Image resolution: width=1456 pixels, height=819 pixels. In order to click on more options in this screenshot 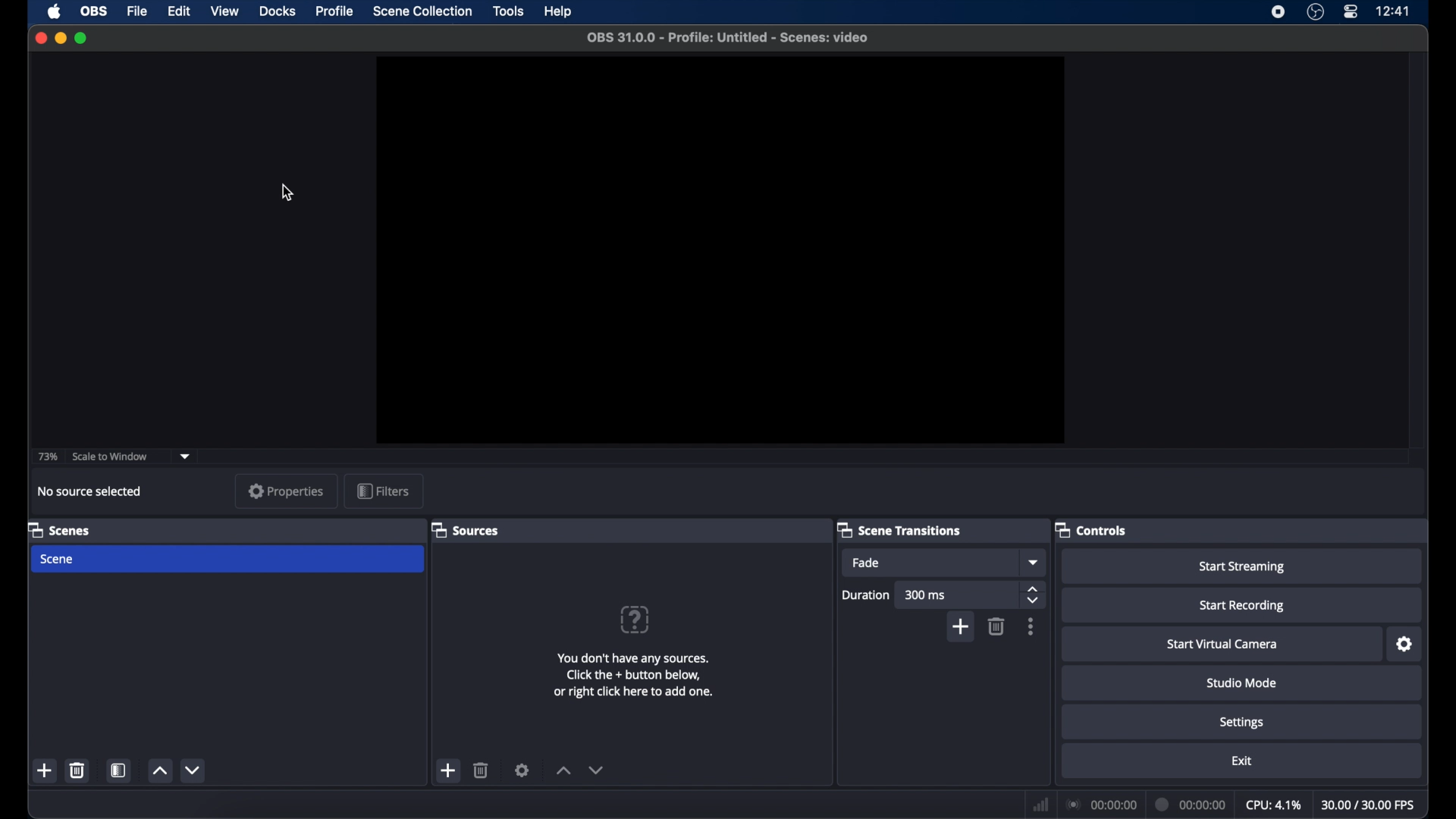, I will do `click(1032, 627)`.